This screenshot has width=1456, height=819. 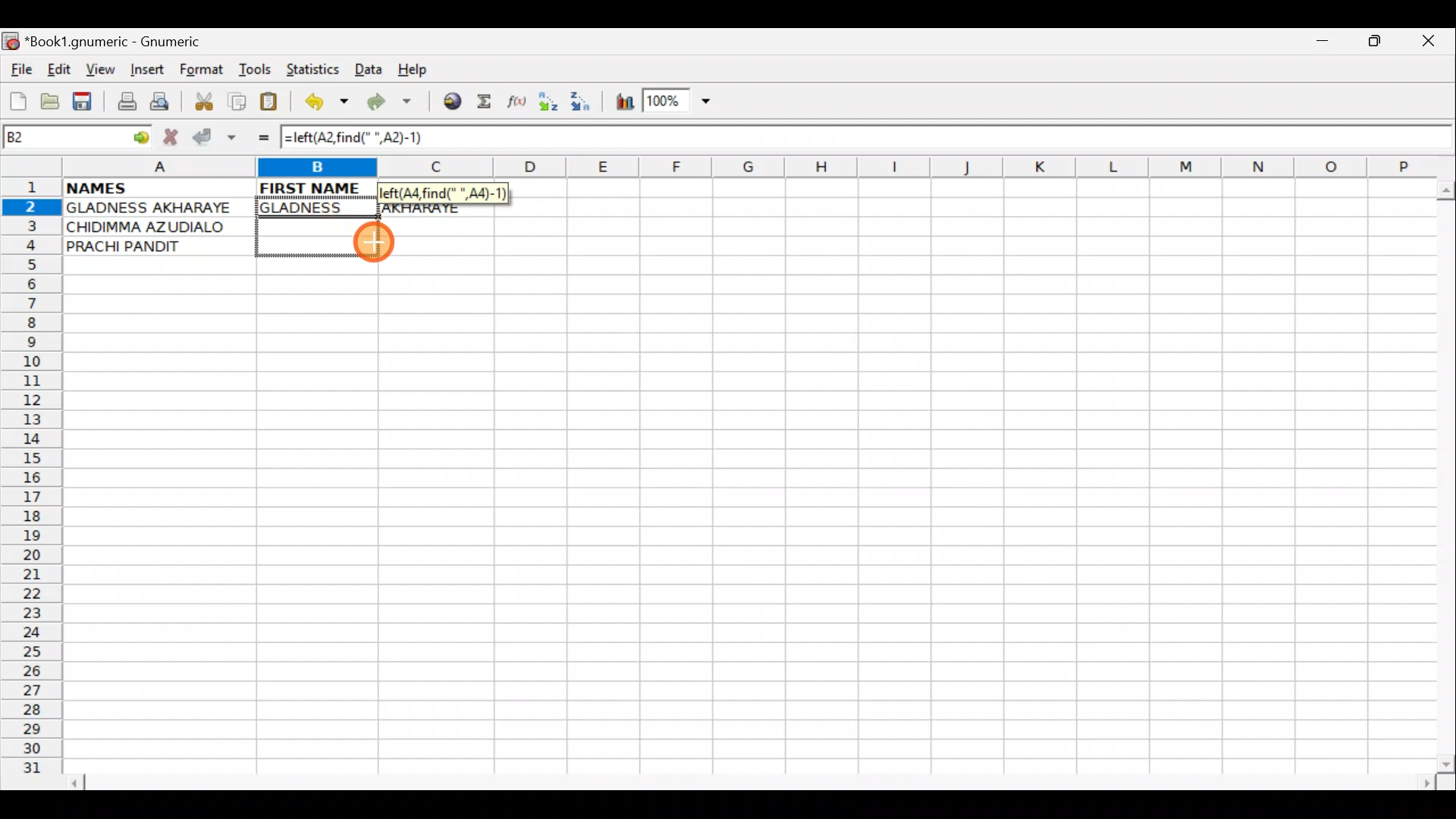 I want to click on Insert Chart, so click(x=620, y=104).